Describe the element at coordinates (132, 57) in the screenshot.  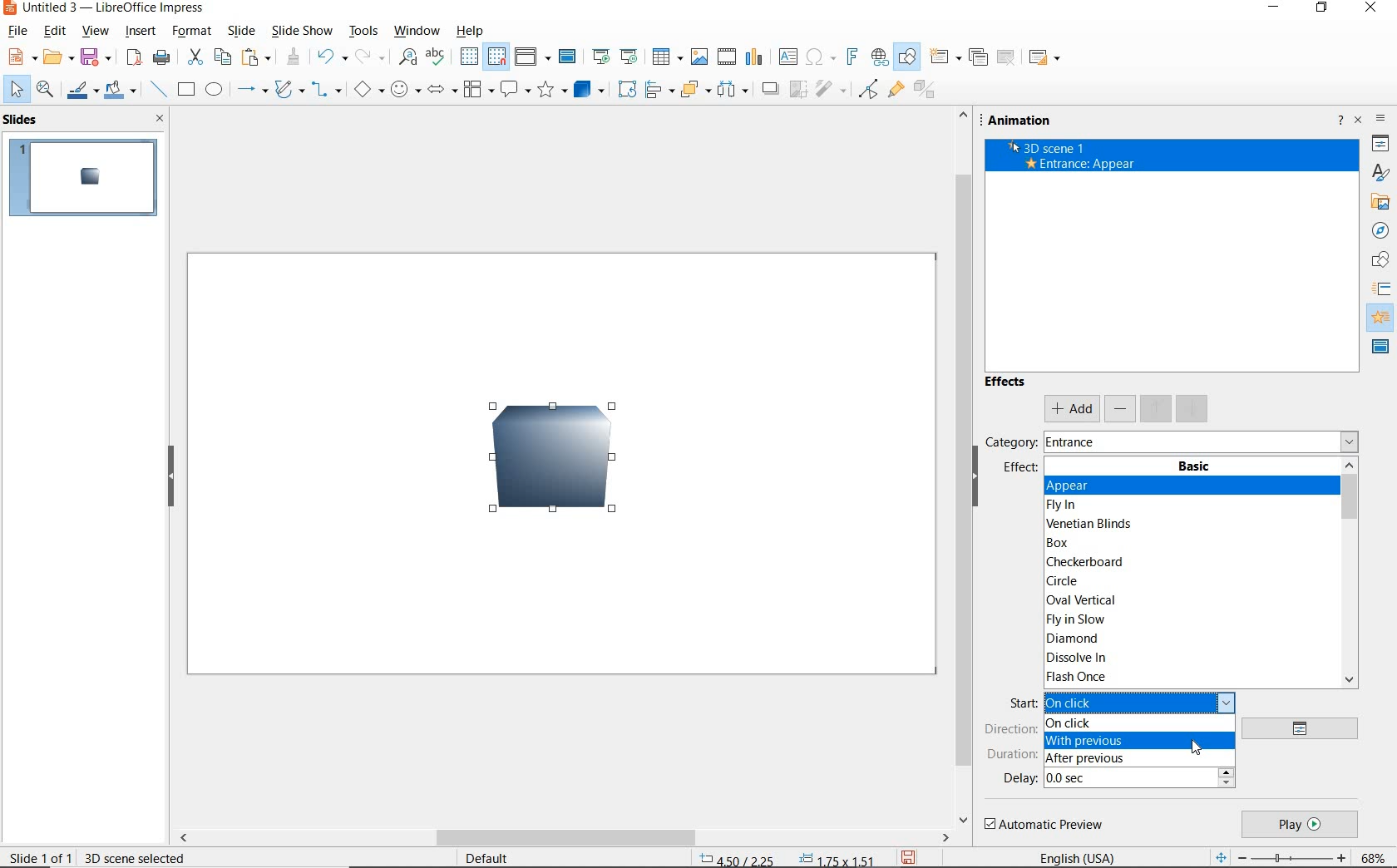
I see `save as pdf` at that location.